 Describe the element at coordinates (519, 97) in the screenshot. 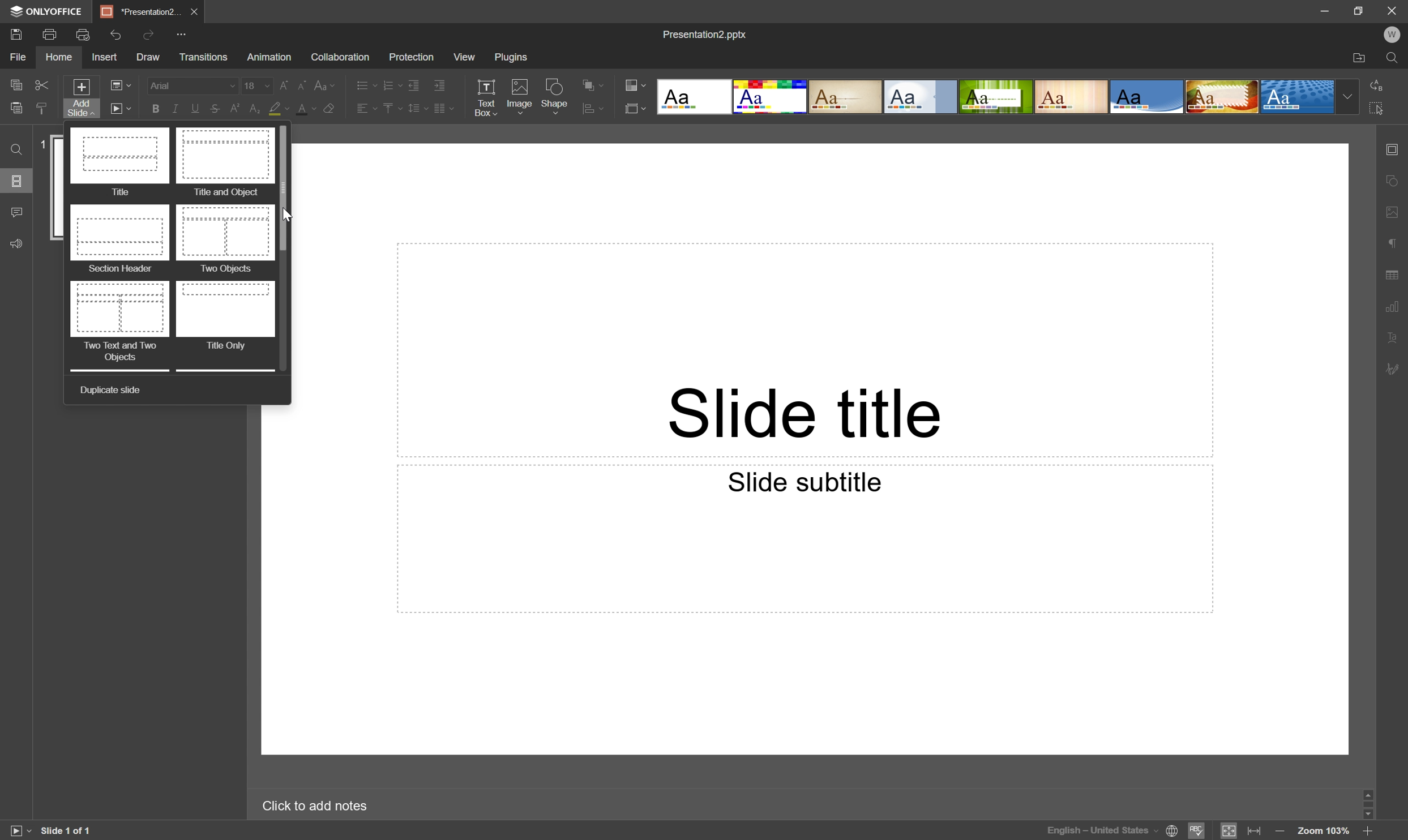

I see `Image` at that location.